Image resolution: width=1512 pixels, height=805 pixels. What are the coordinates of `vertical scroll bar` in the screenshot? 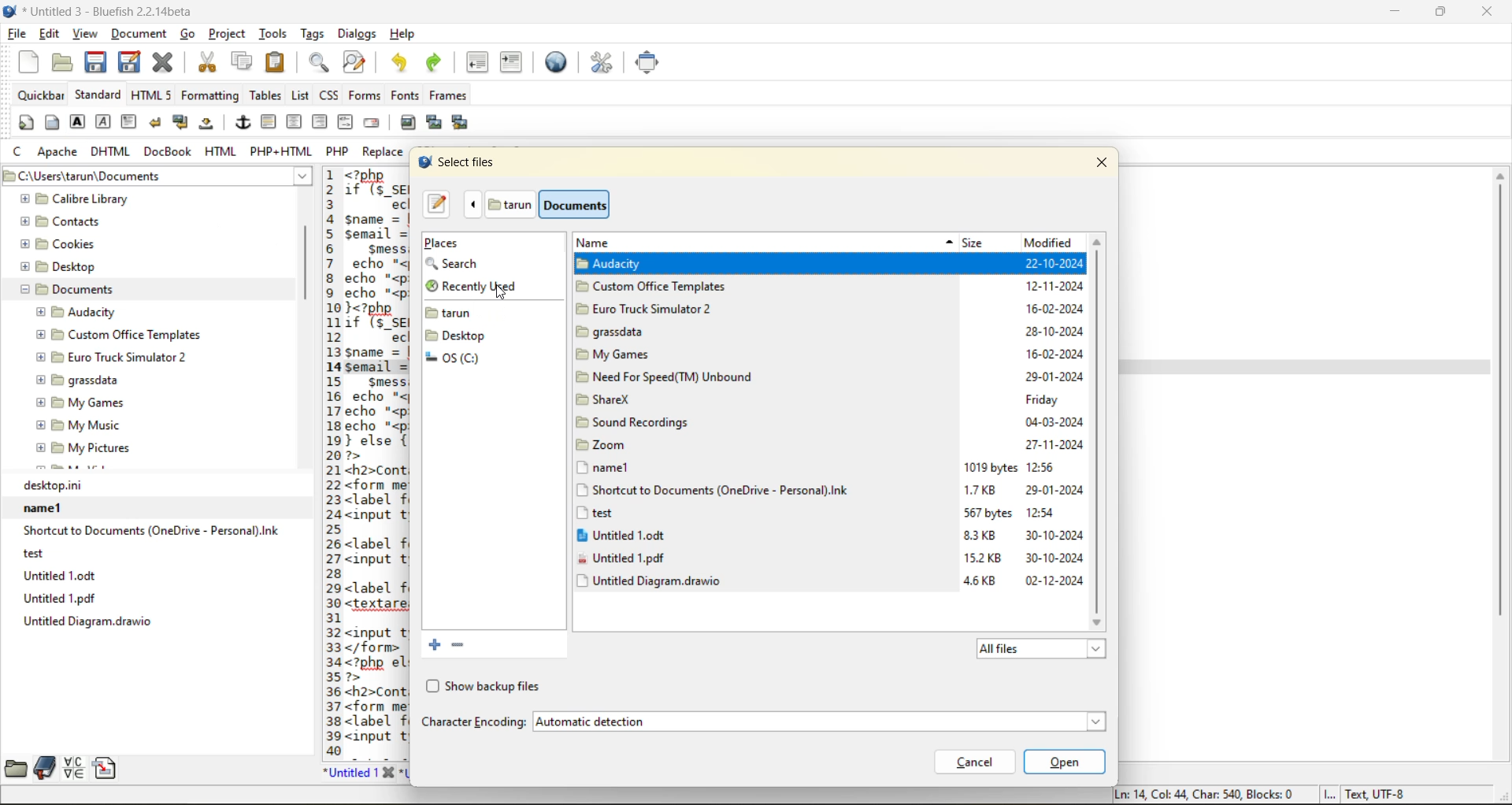 It's located at (306, 255).